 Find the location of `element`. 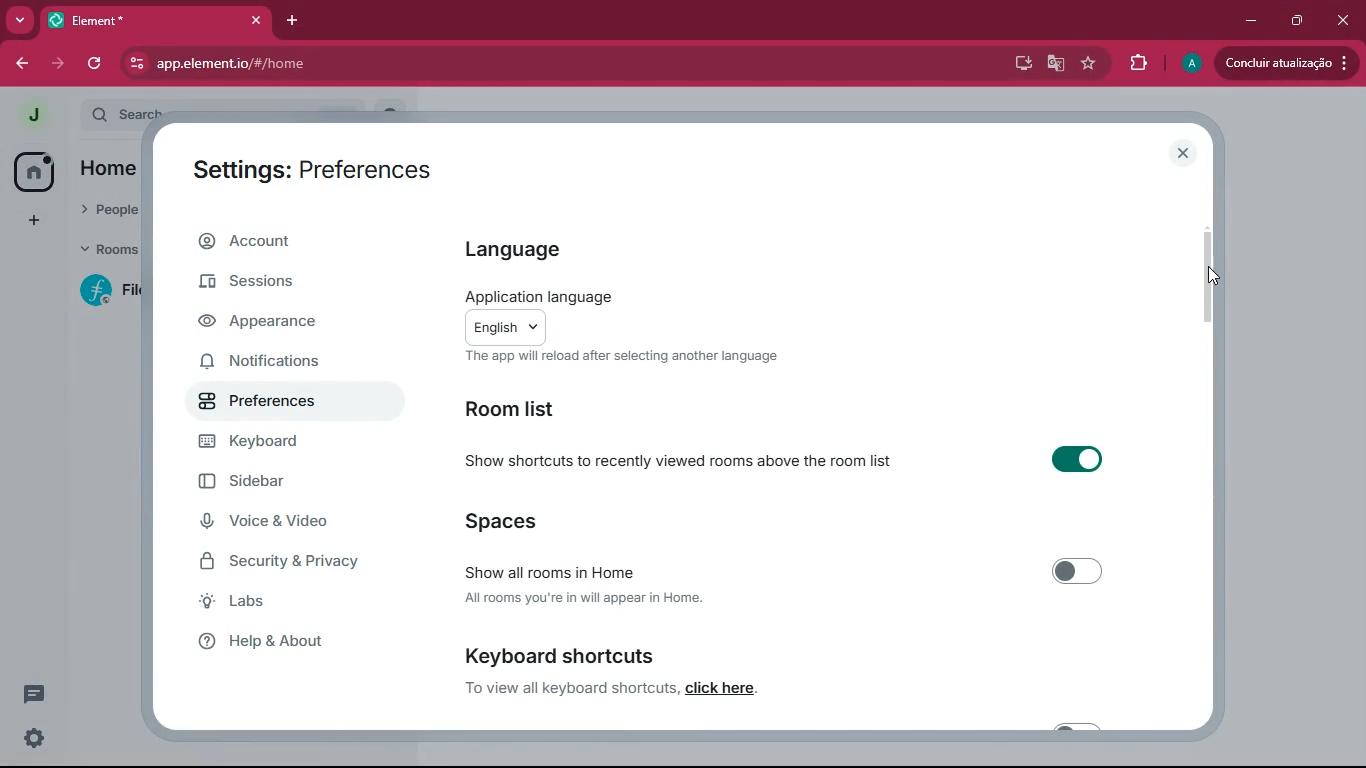

element is located at coordinates (155, 22).